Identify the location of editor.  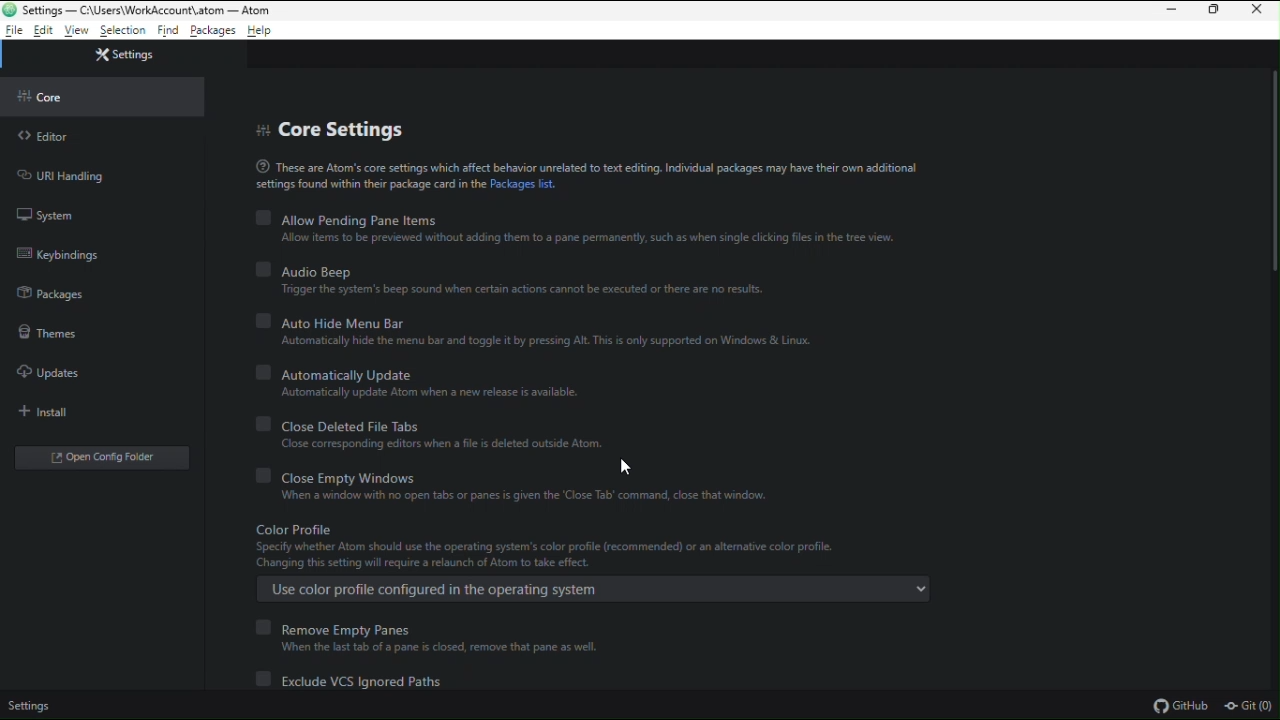
(52, 137).